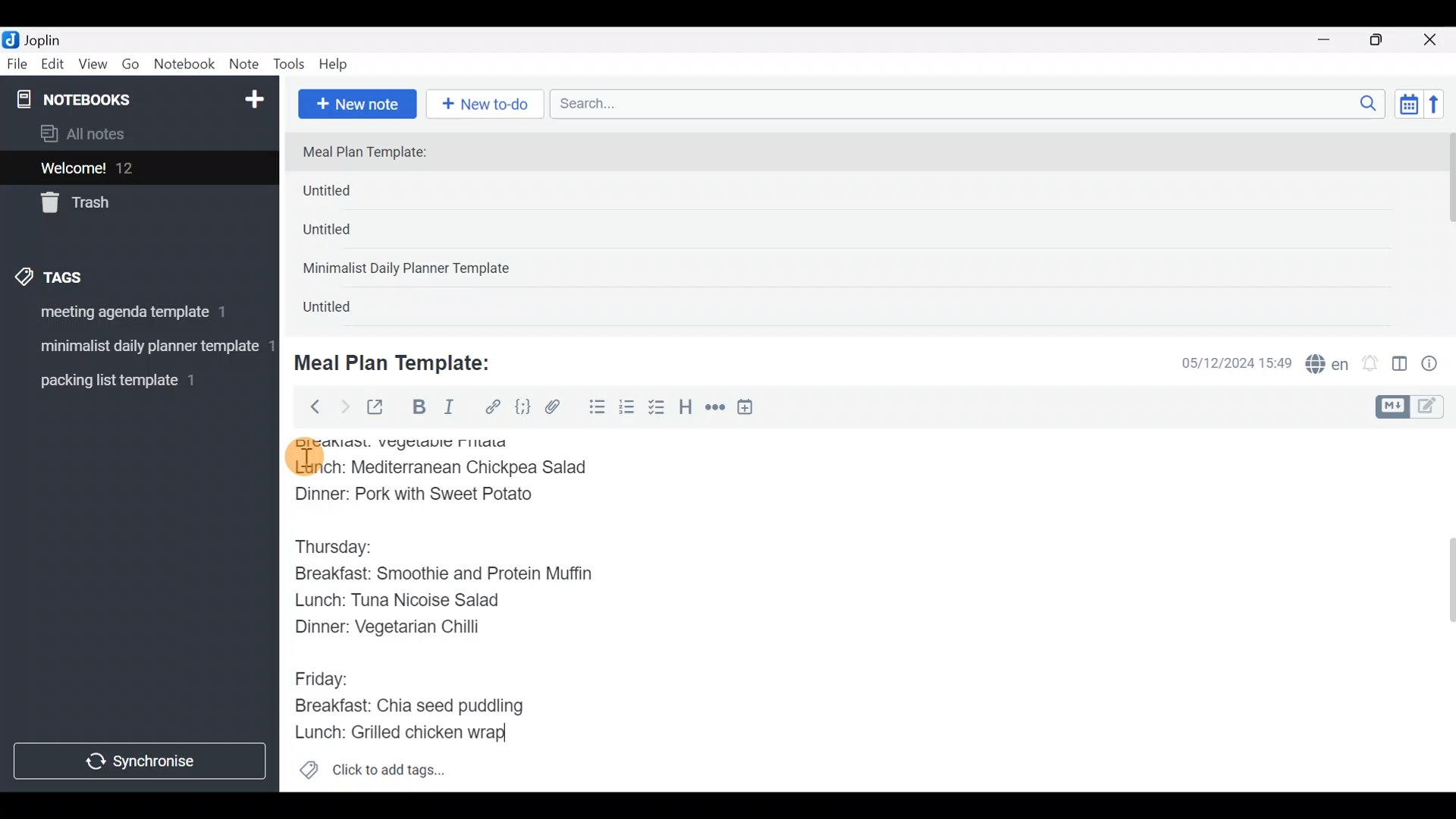  Describe the element at coordinates (309, 406) in the screenshot. I see `Back` at that location.